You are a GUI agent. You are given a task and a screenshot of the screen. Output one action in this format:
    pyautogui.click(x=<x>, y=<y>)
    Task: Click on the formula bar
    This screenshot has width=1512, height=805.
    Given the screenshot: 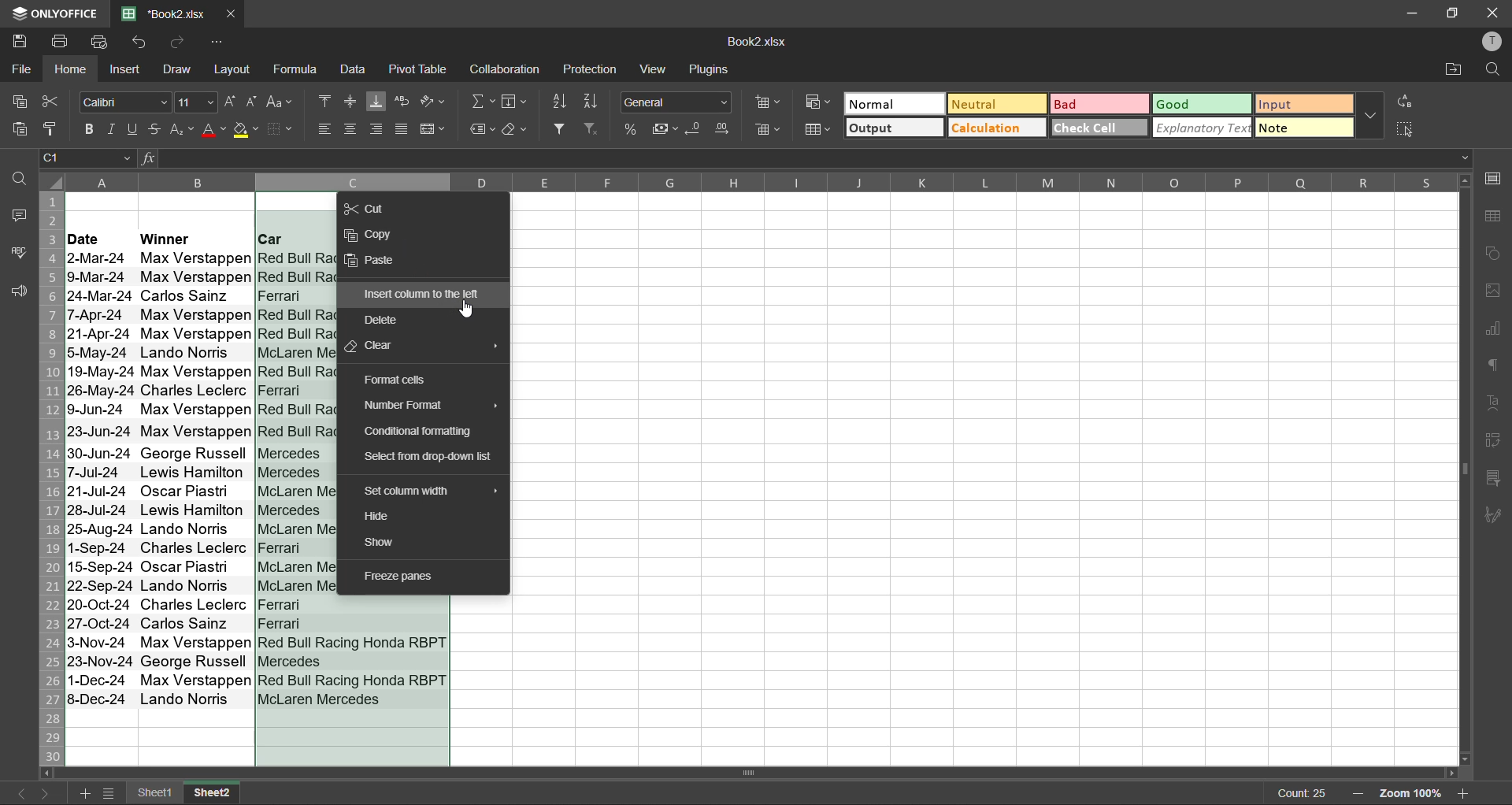 What is the action you would take?
    pyautogui.click(x=814, y=158)
    